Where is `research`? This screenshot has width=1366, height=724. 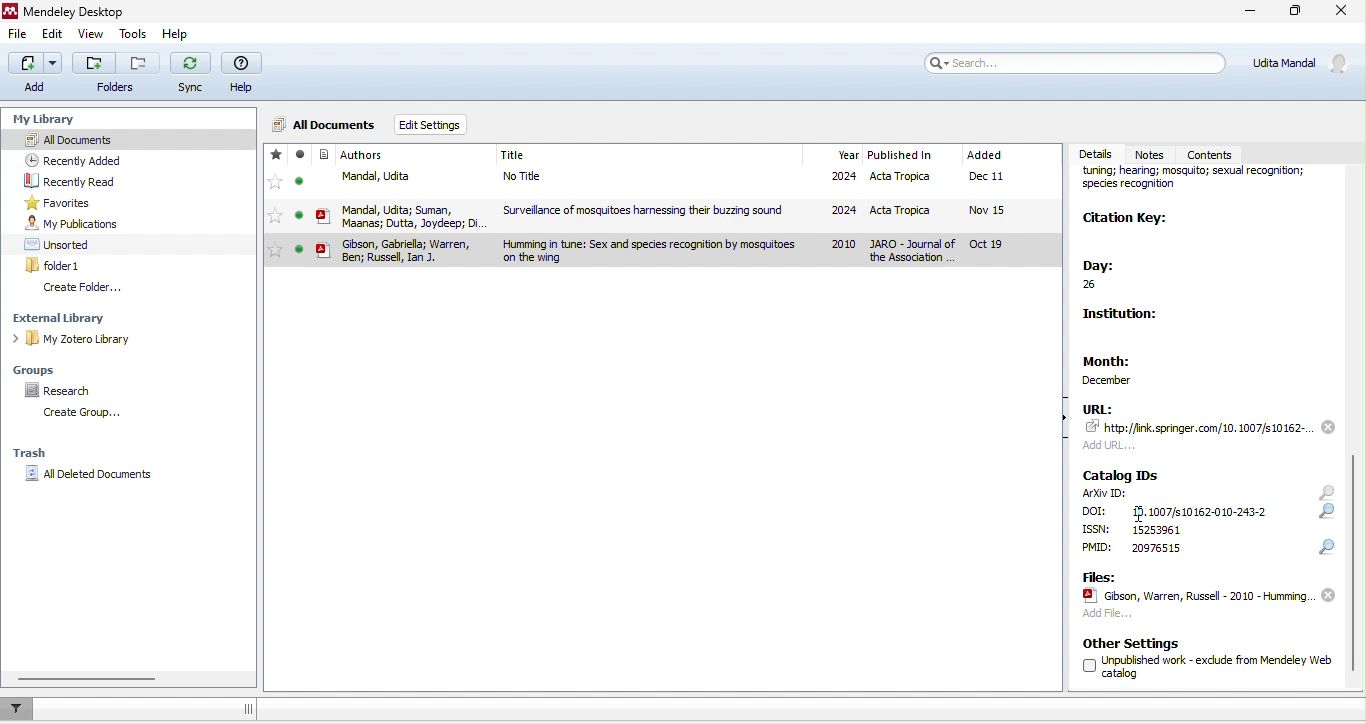 research is located at coordinates (63, 391).